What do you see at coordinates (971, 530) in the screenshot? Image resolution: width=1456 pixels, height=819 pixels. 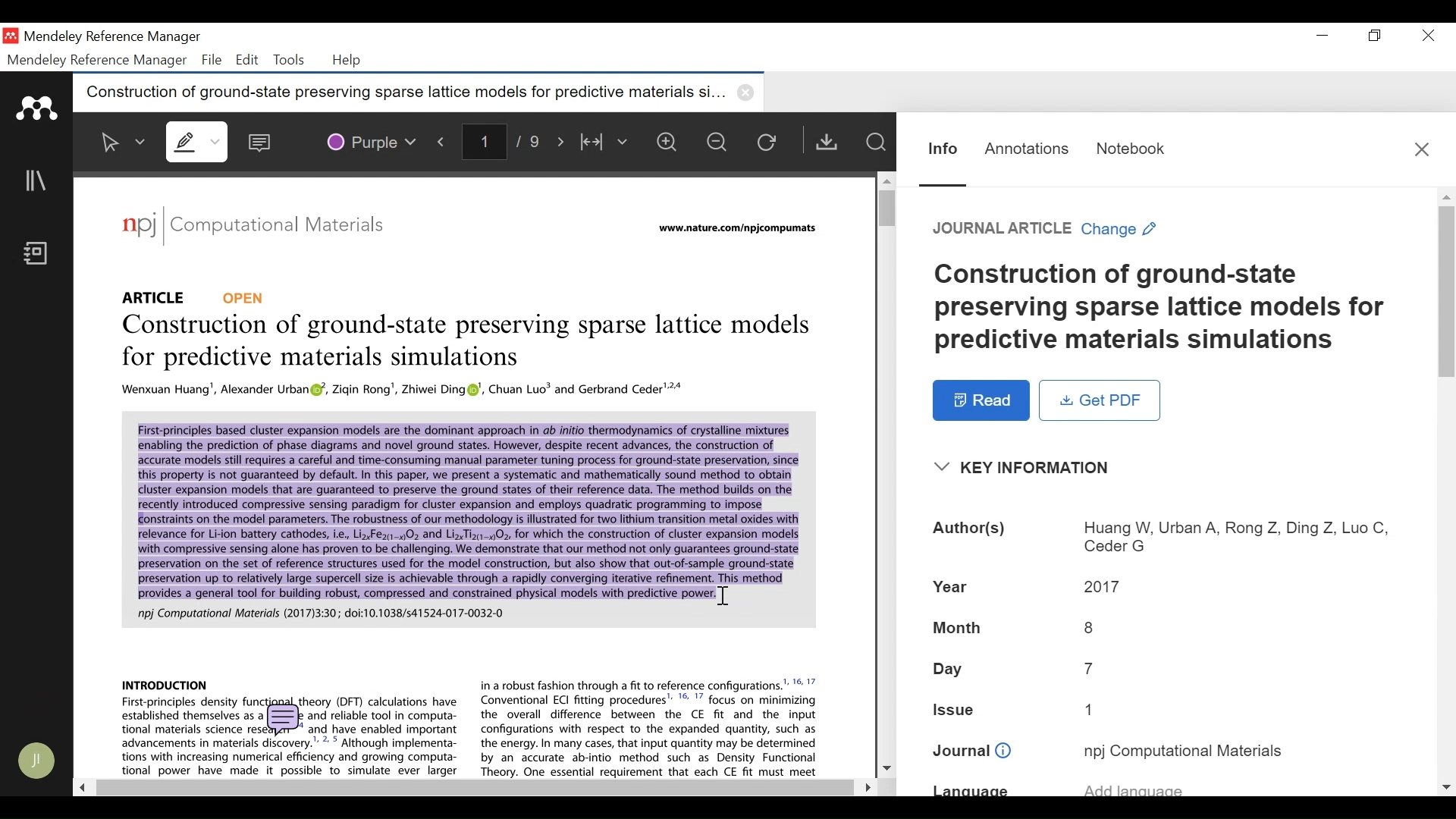 I see `Authors` at bounding box center [971, 530].